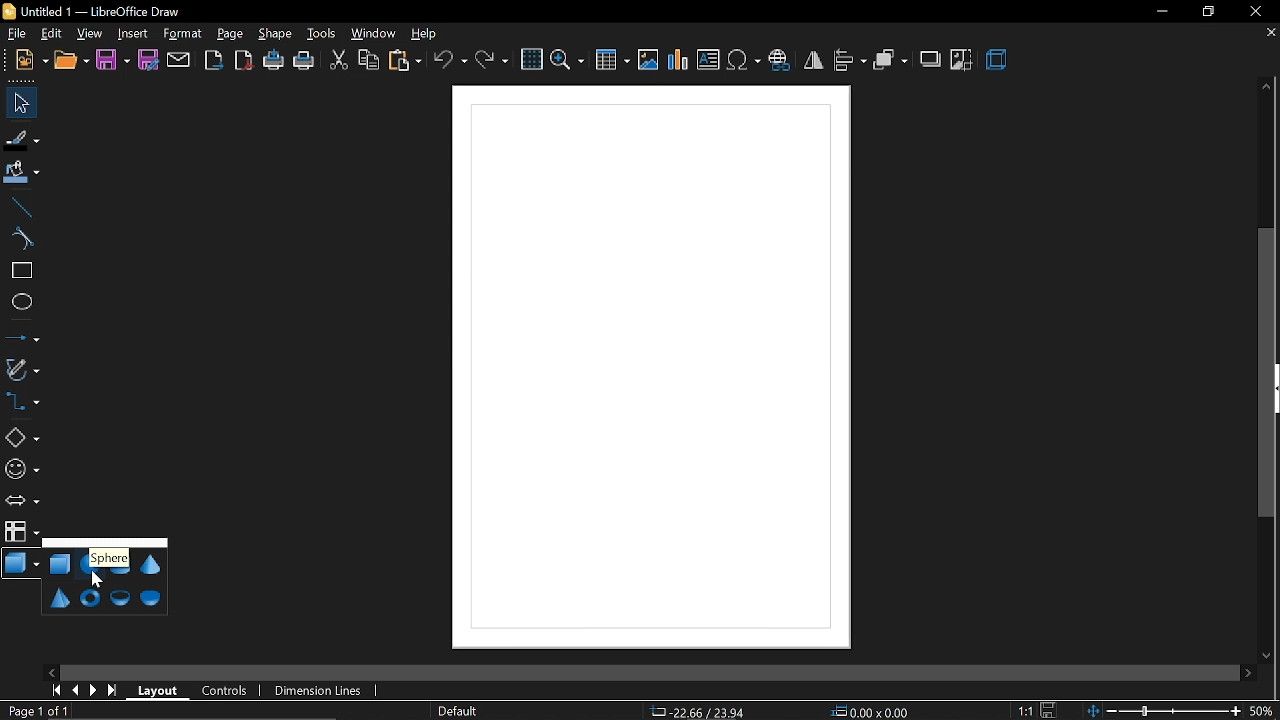 The height and width of the screenshot is (720, 1280). I want to click on cut, so click(338, 58).